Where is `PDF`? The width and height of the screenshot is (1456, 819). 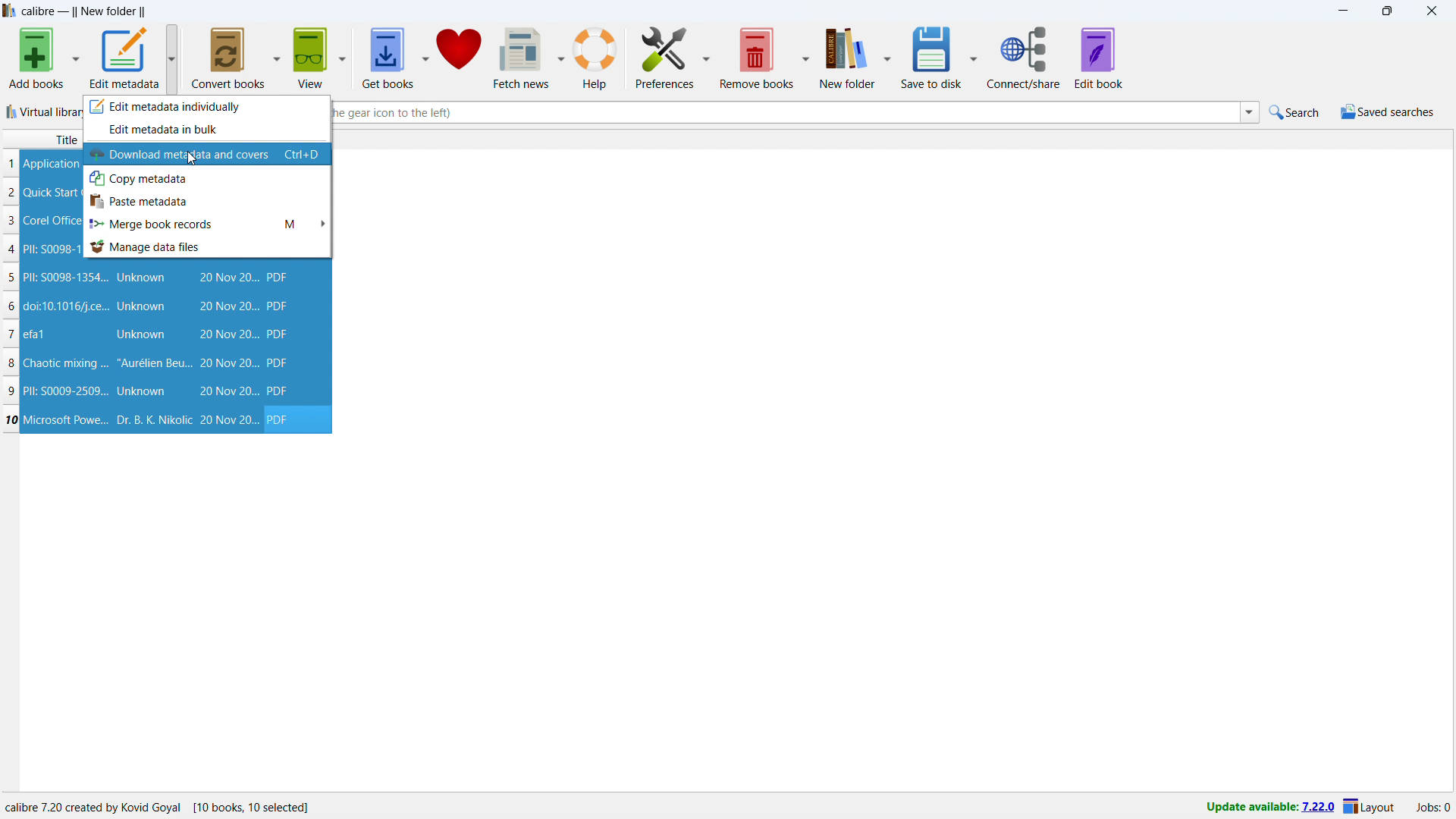
PDF is located at coordinates (277, 277).